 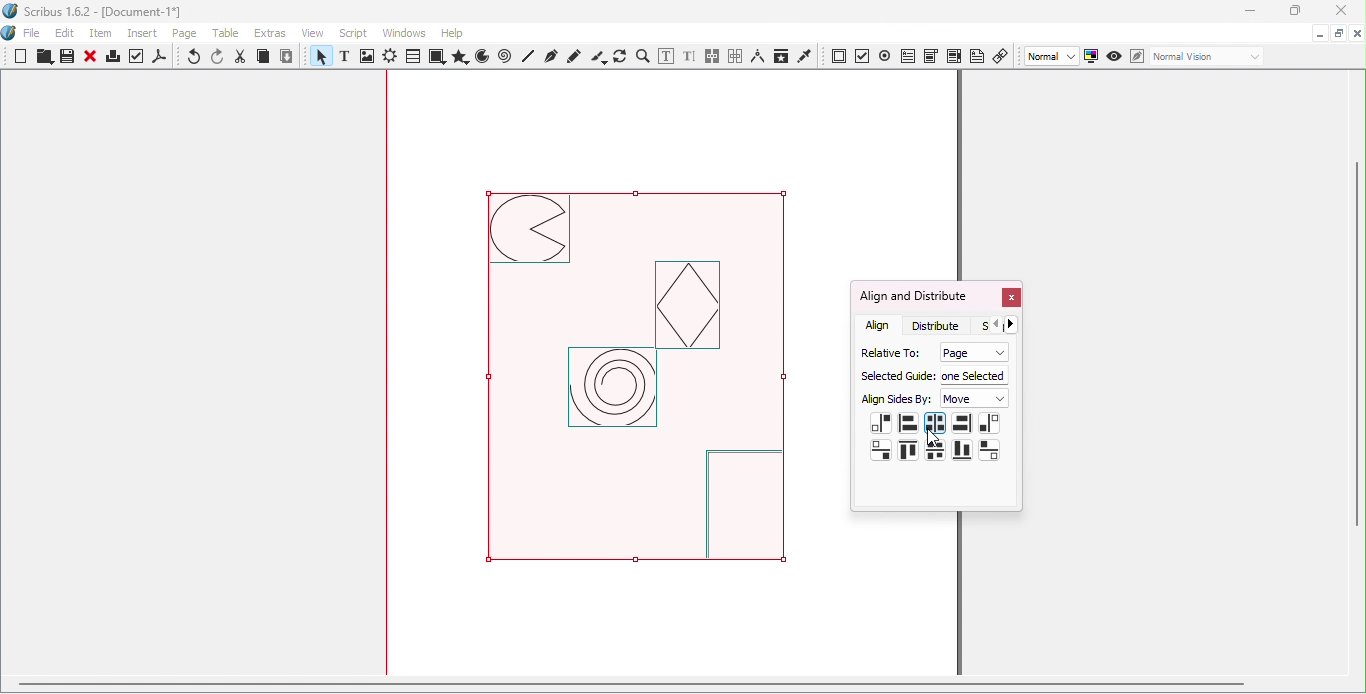 I want to click on center on horizontal axis, so click(x=935, y=450).